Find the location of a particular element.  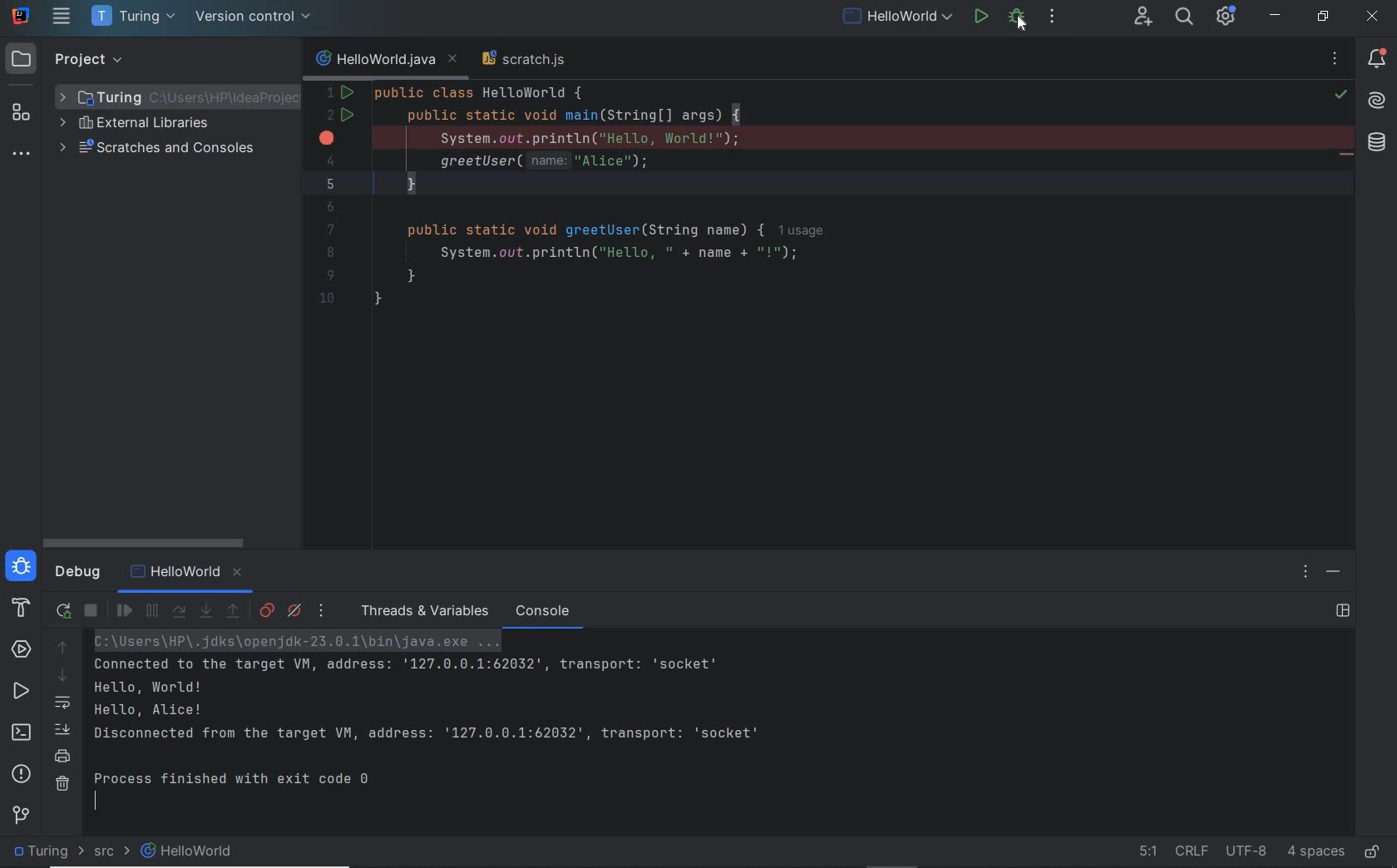

scratches and consoles is located at coordinates (180, 152).